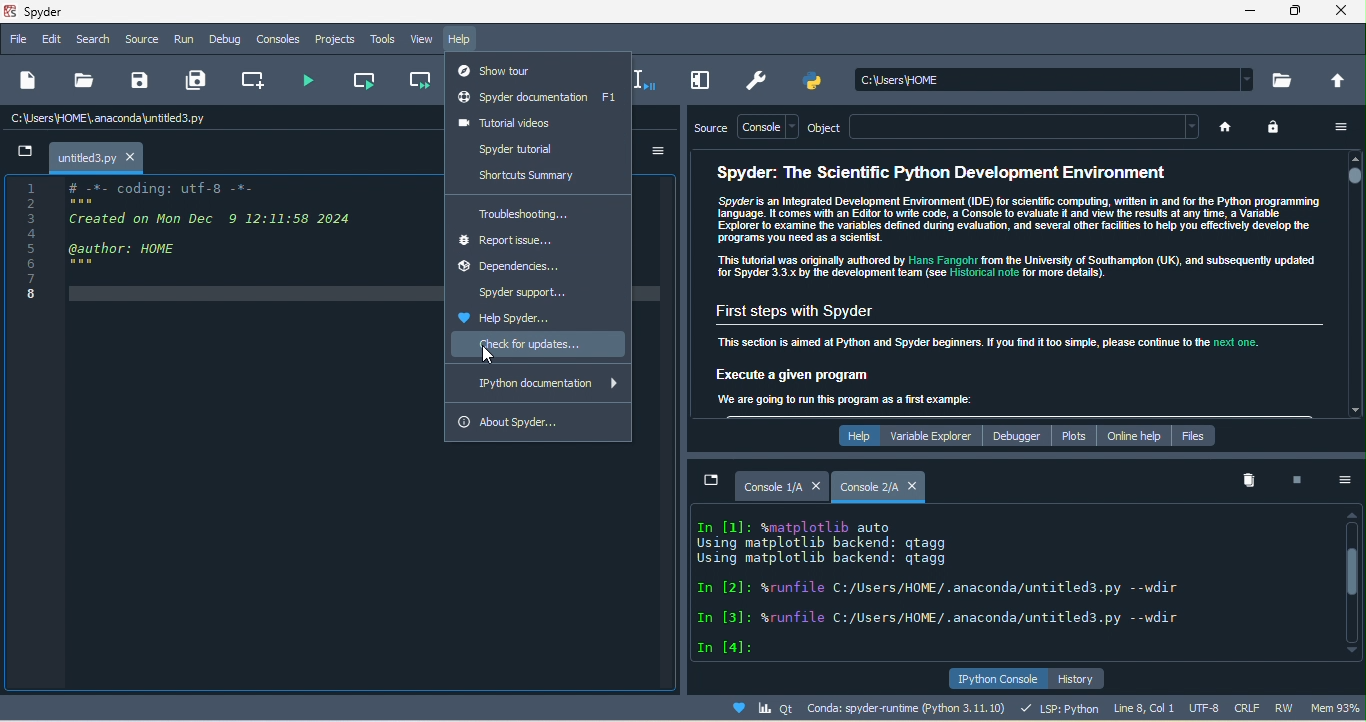 The height and width of the screenshot is (722, 1366). What do you see at coordinates (30, 84) in the screenshot?
I see `new` at bounding box center [30, 84].